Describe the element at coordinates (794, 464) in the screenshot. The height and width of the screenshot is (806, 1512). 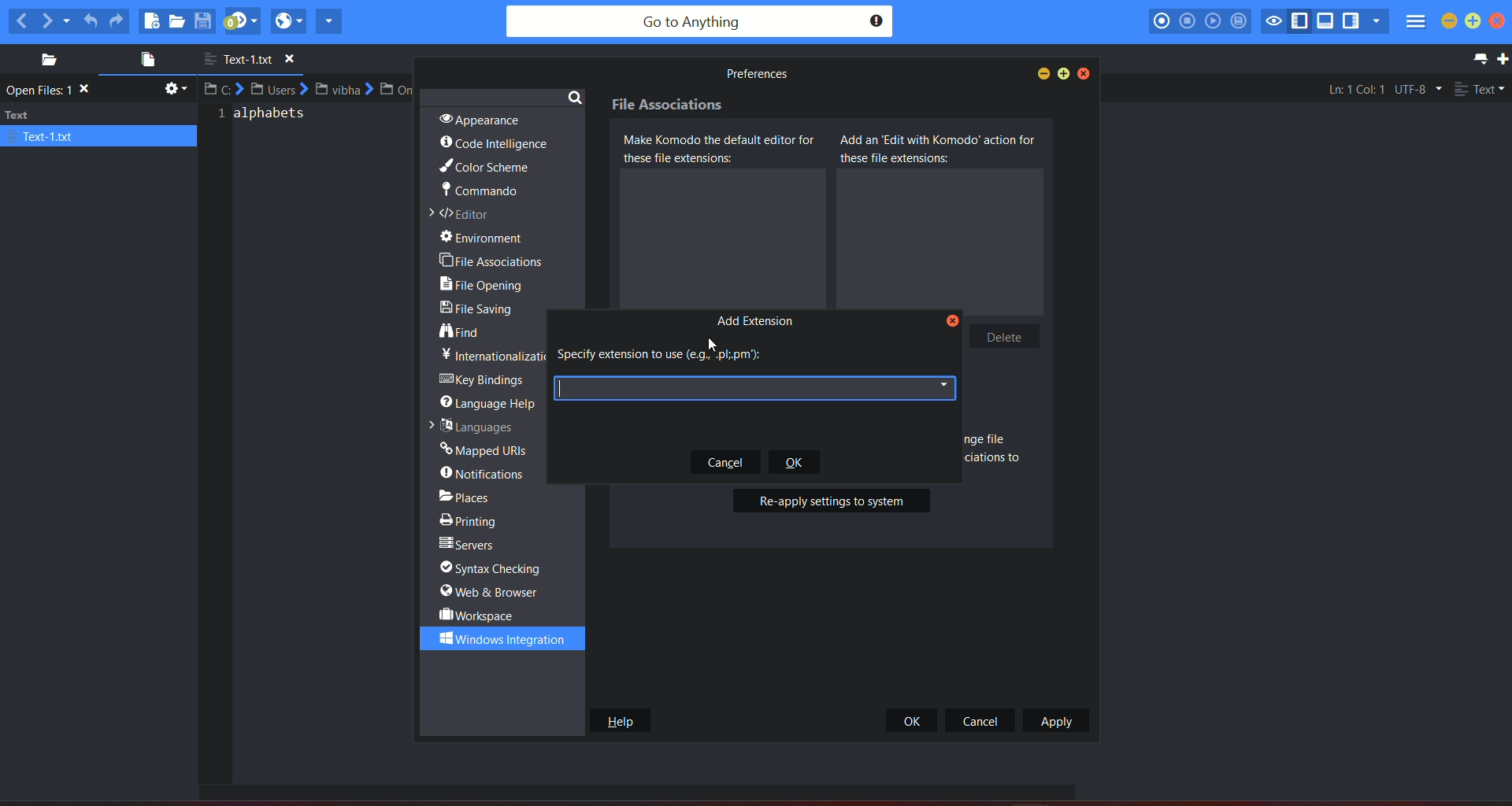
I see `ok` at that location.